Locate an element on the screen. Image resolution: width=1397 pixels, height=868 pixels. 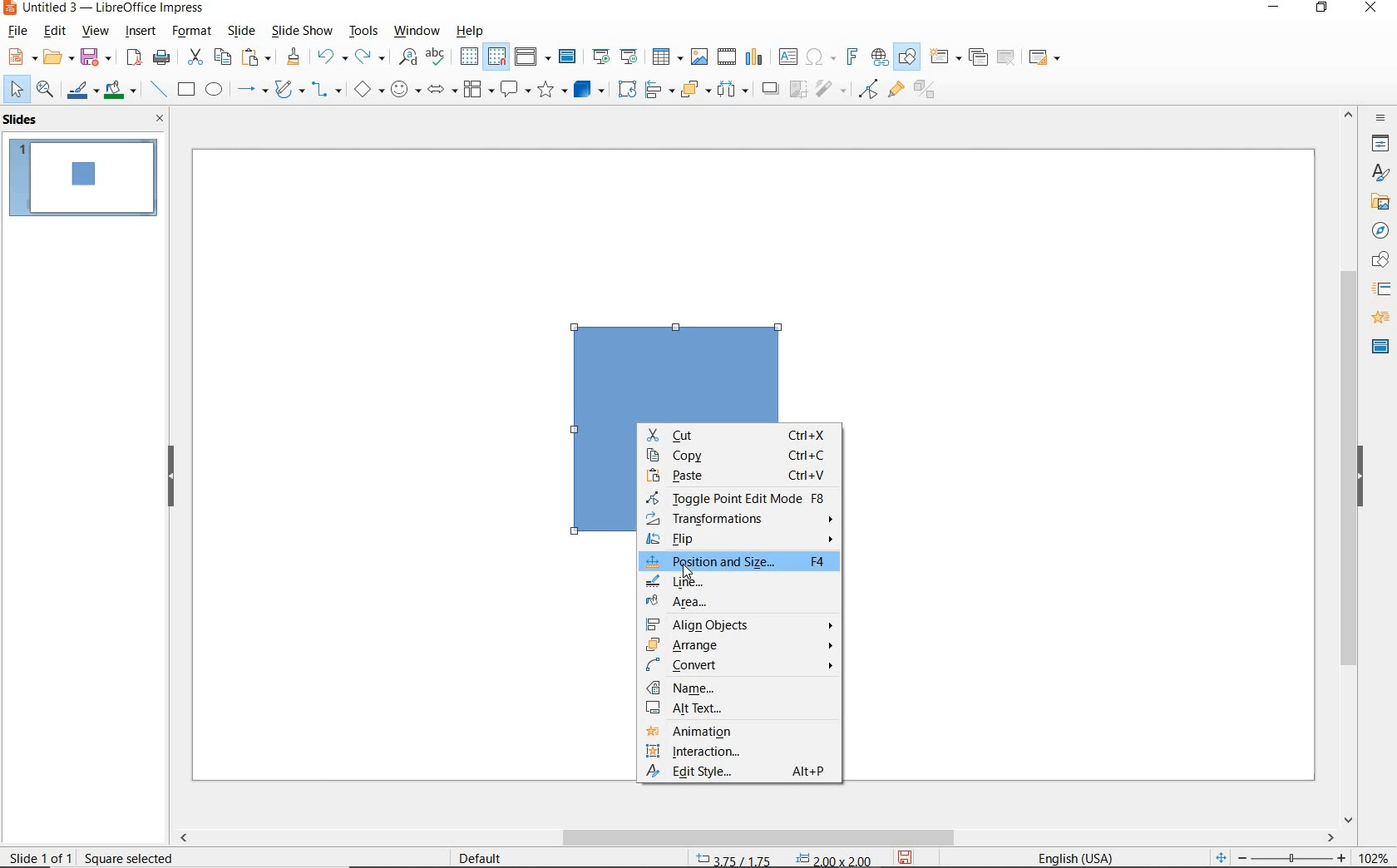
copy is located at coordinates (220, 56).